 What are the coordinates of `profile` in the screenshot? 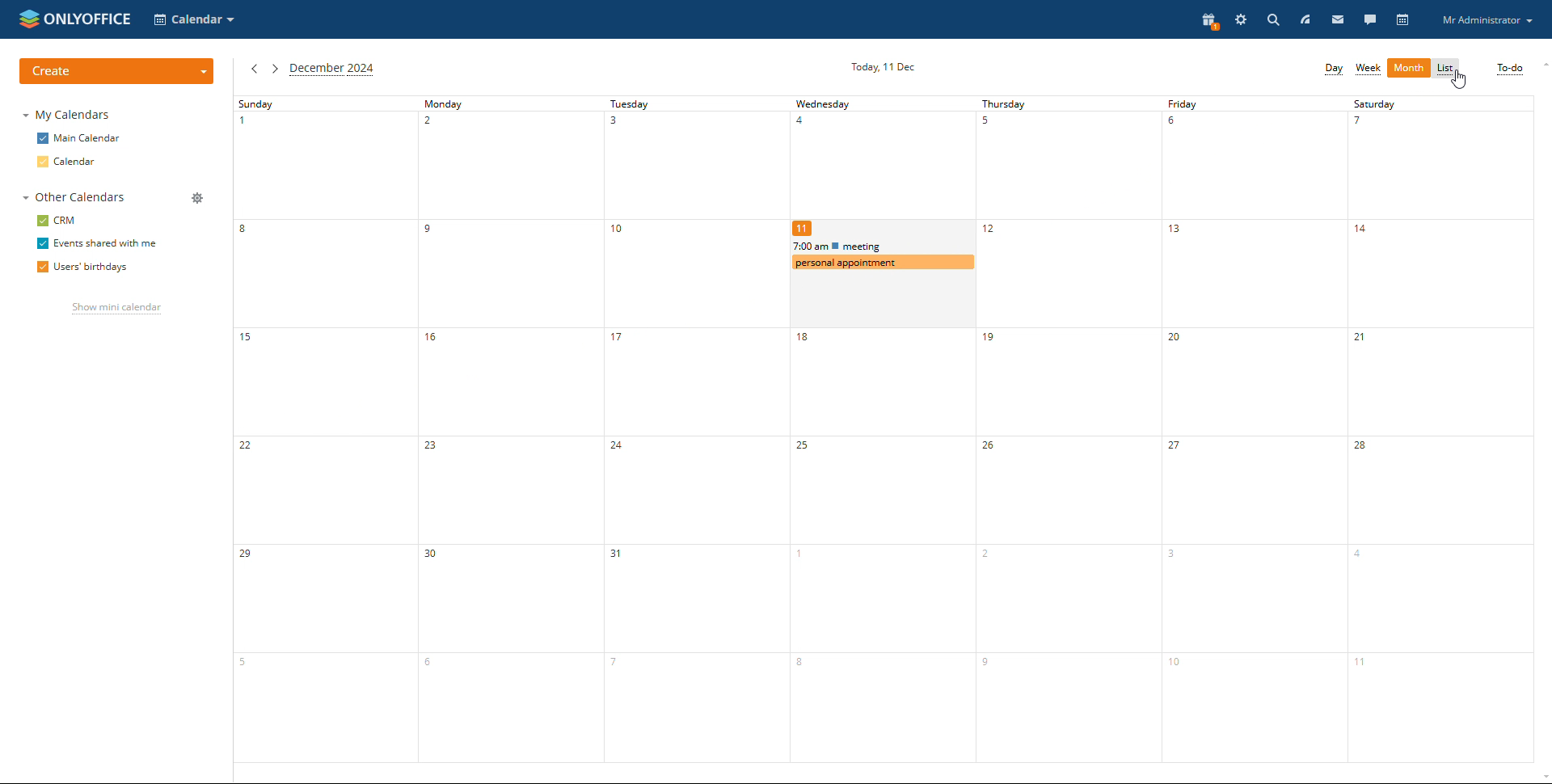 It's located at (1487, 19).